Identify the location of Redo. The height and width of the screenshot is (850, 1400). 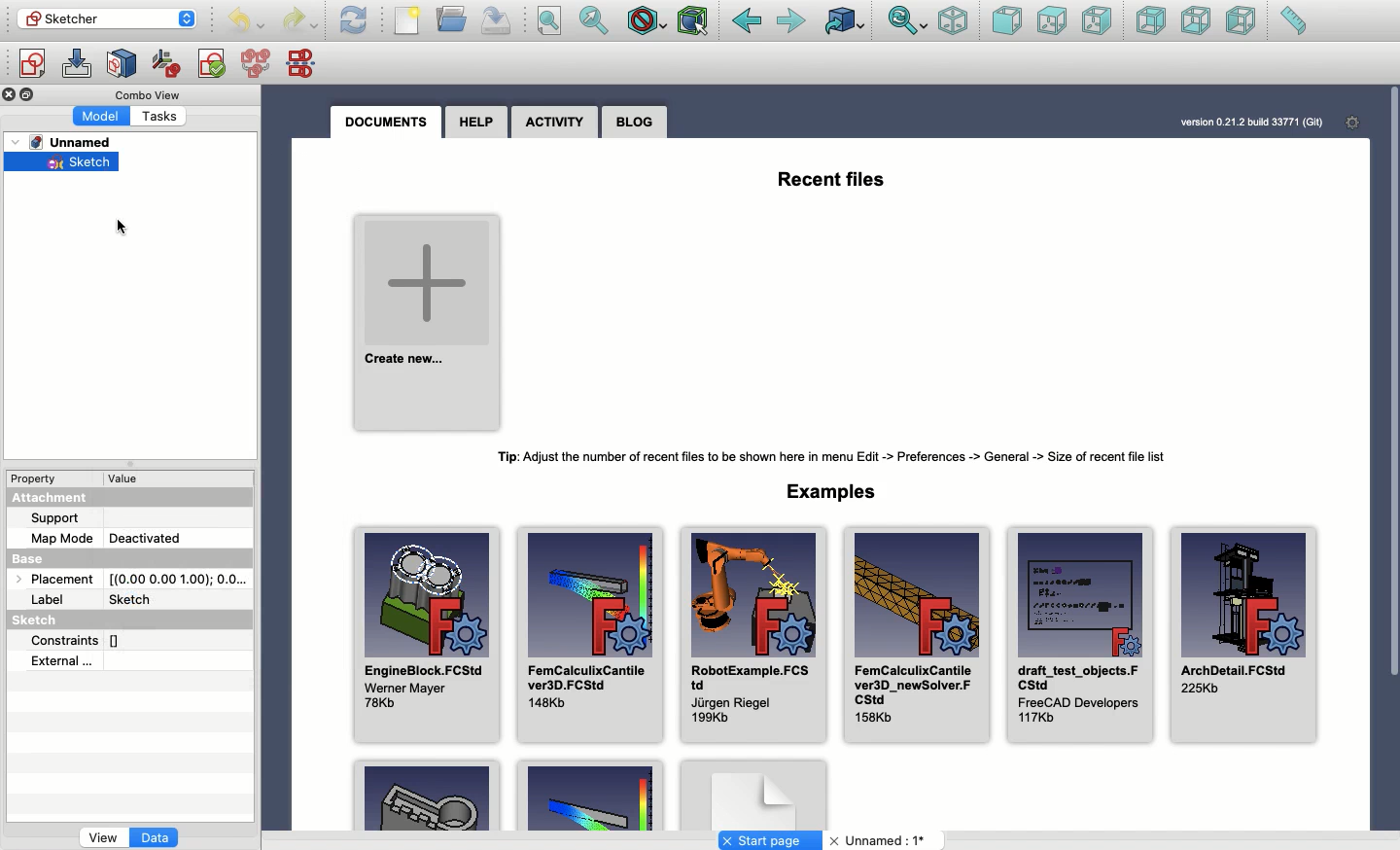
(299, 22).